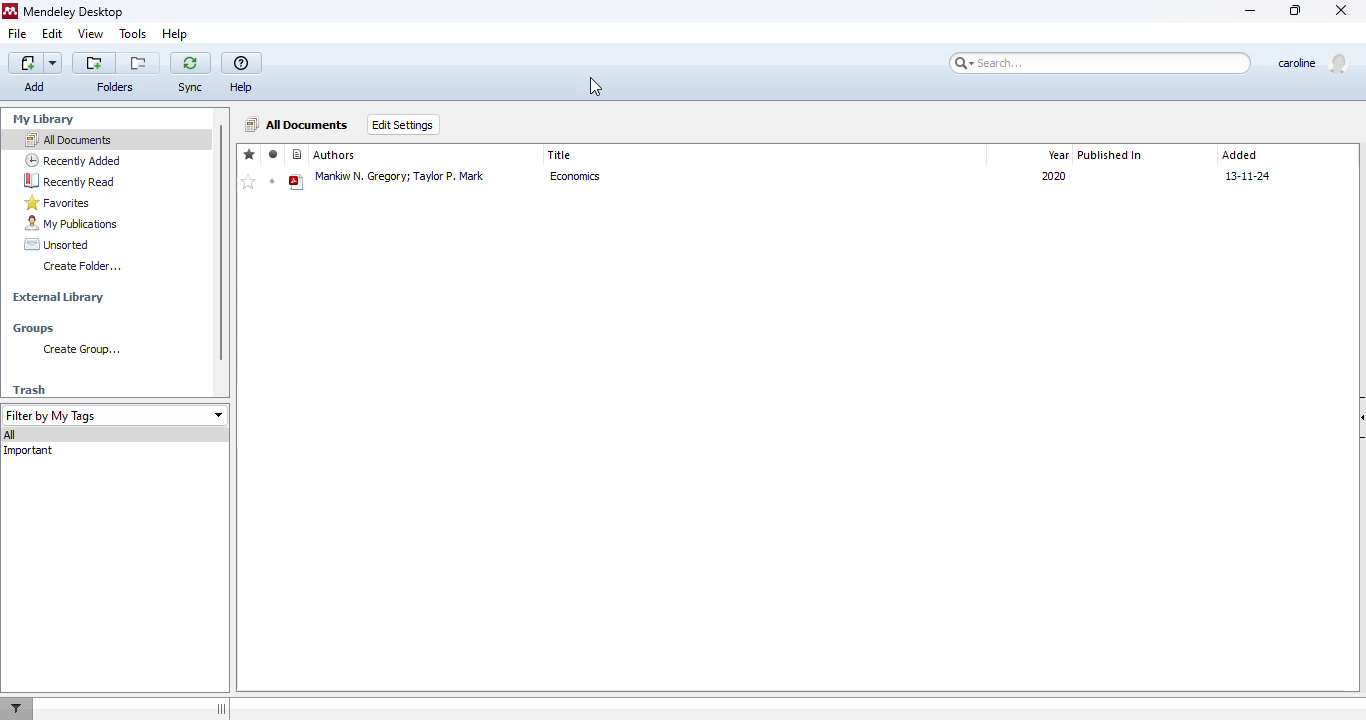  What do you see at coordinates (272, 181) in the screenshot?
I see `mark as unread` at bounding box center [272, 181].